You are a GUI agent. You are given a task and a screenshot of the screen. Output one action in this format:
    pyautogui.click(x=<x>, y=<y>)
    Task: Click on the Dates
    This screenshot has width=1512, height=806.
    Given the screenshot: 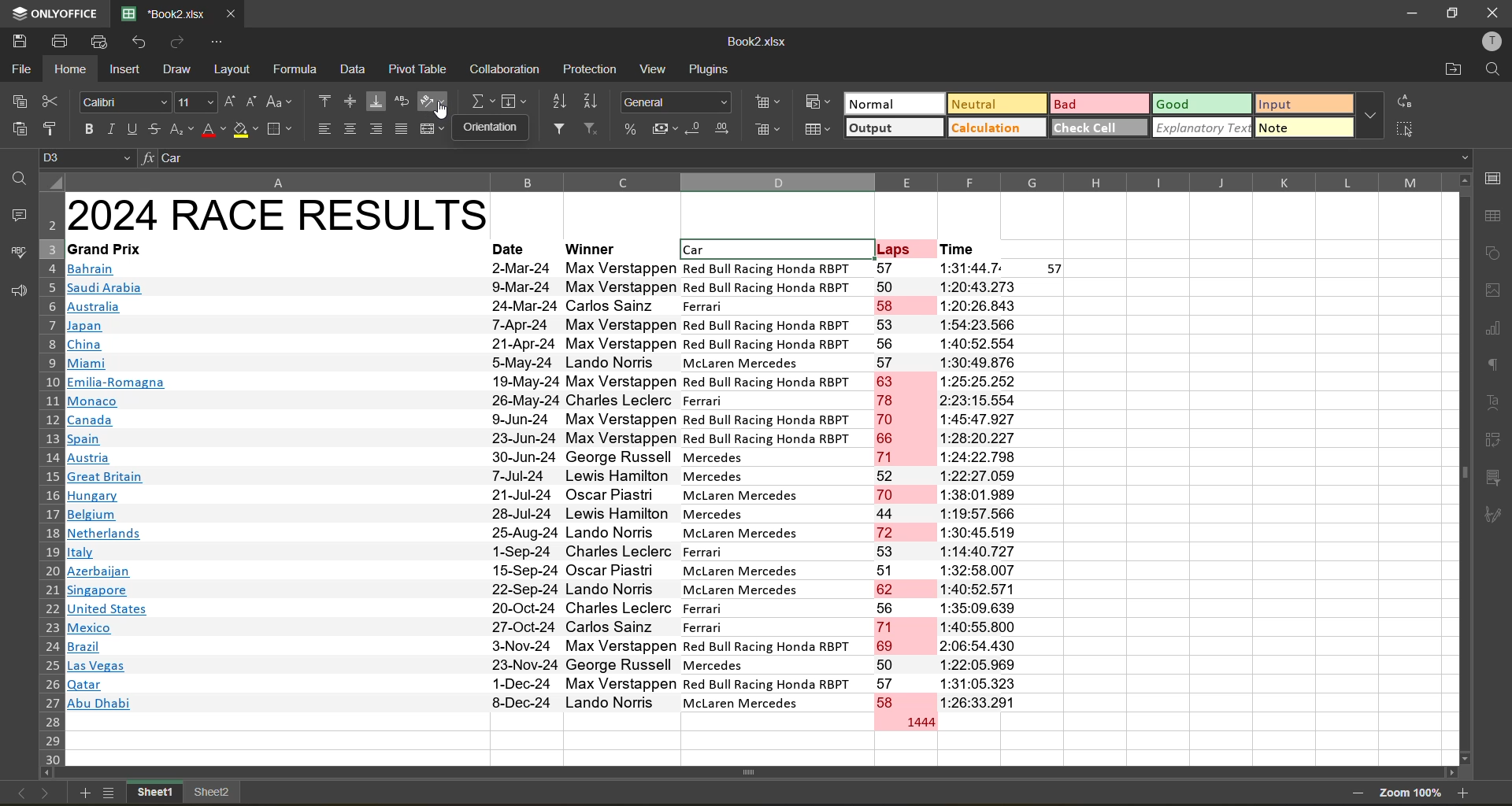 What is the action you would take?
    pyautogui.click(x=521, y=486)
    